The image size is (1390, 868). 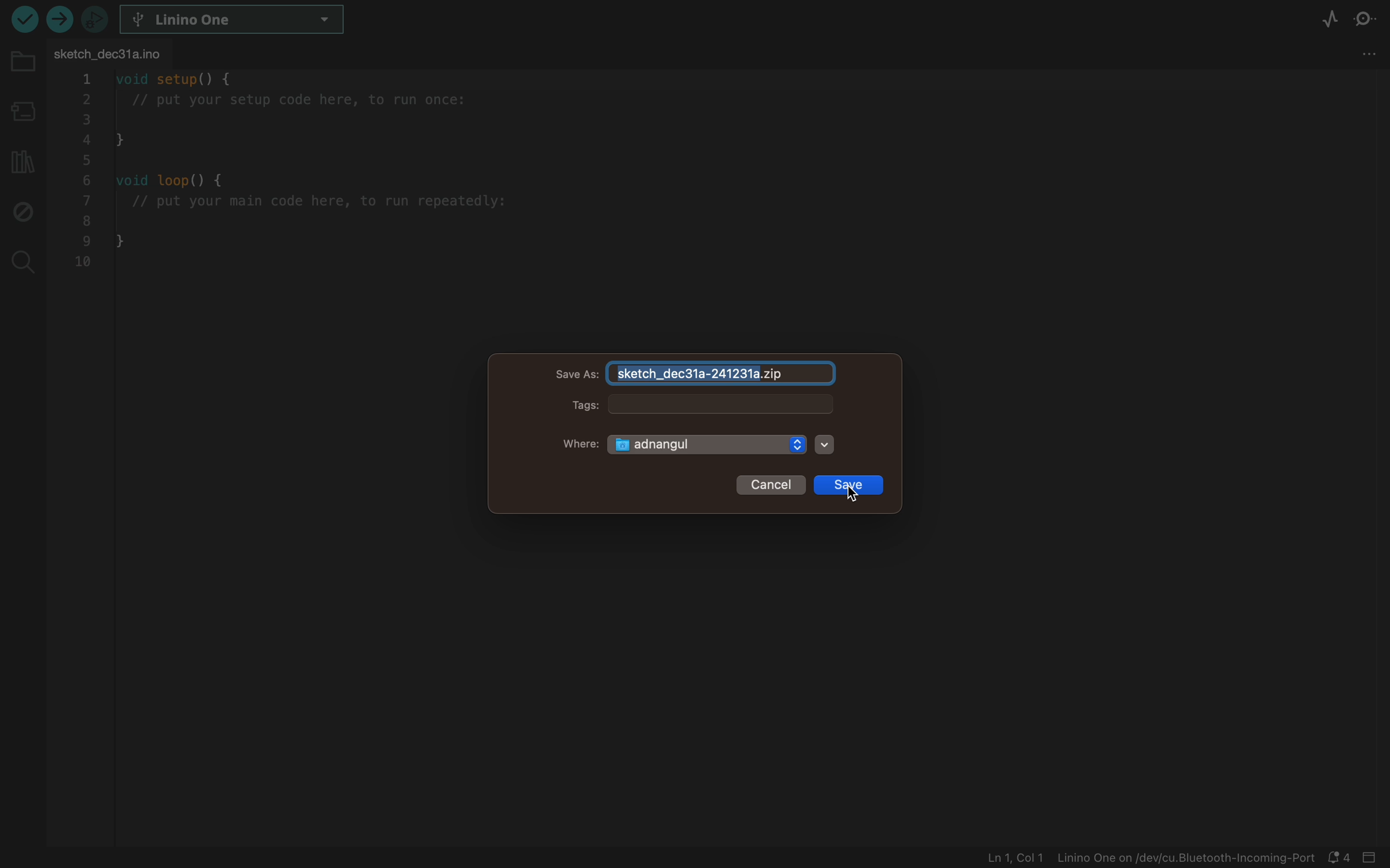 I want to click on file tab, so click(x=115, y=54).